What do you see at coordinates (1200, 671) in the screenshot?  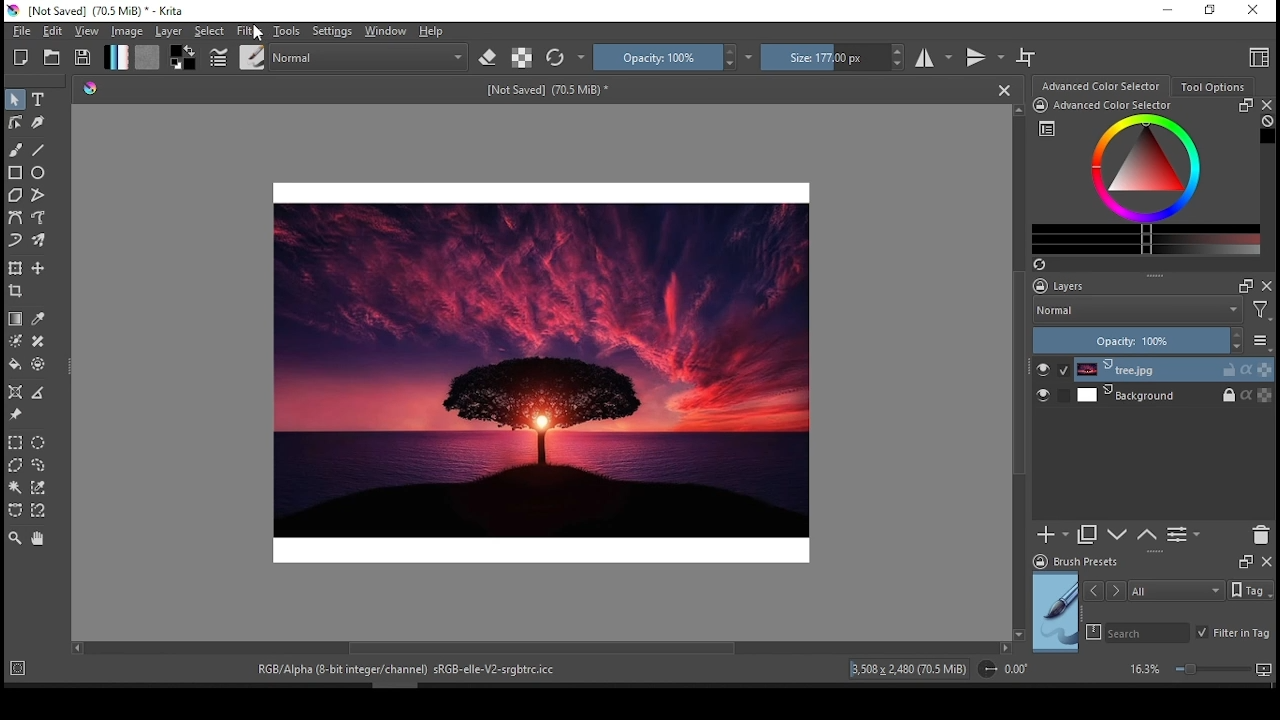 I see `zoom` at bounding box center [1200, 671].